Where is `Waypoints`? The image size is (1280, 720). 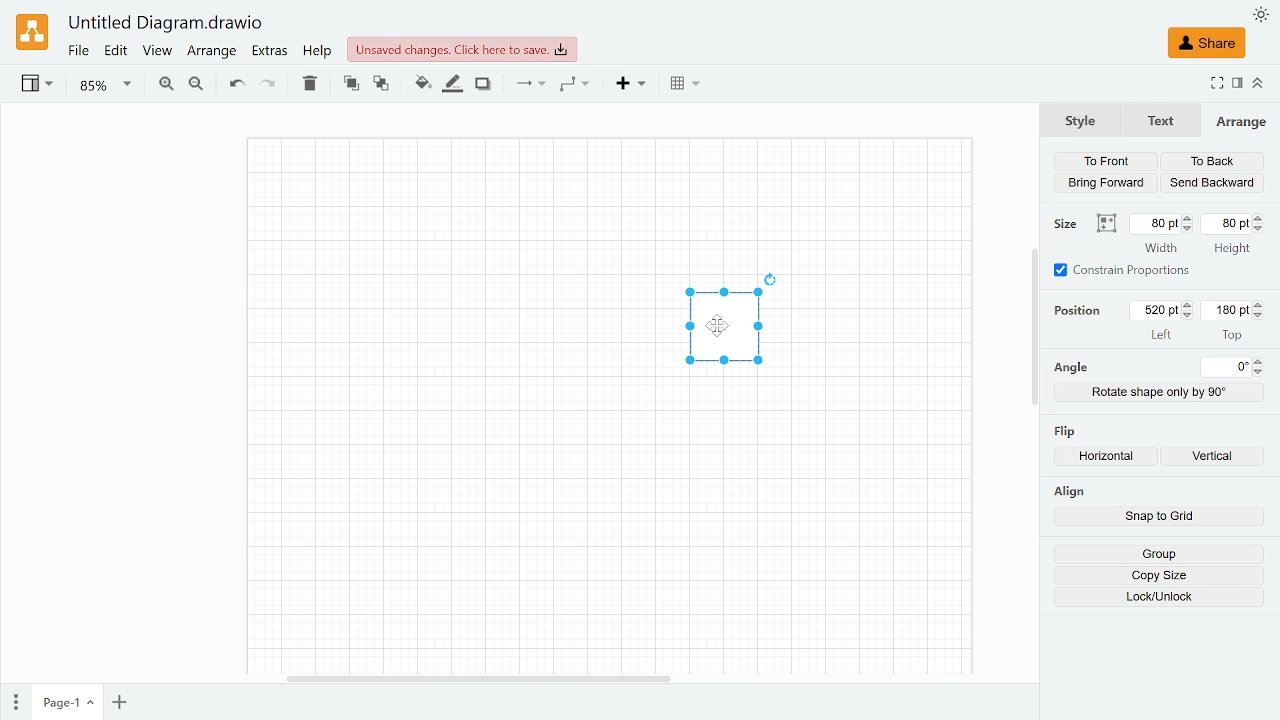
Waypoints is located at coordinates (575, 85).